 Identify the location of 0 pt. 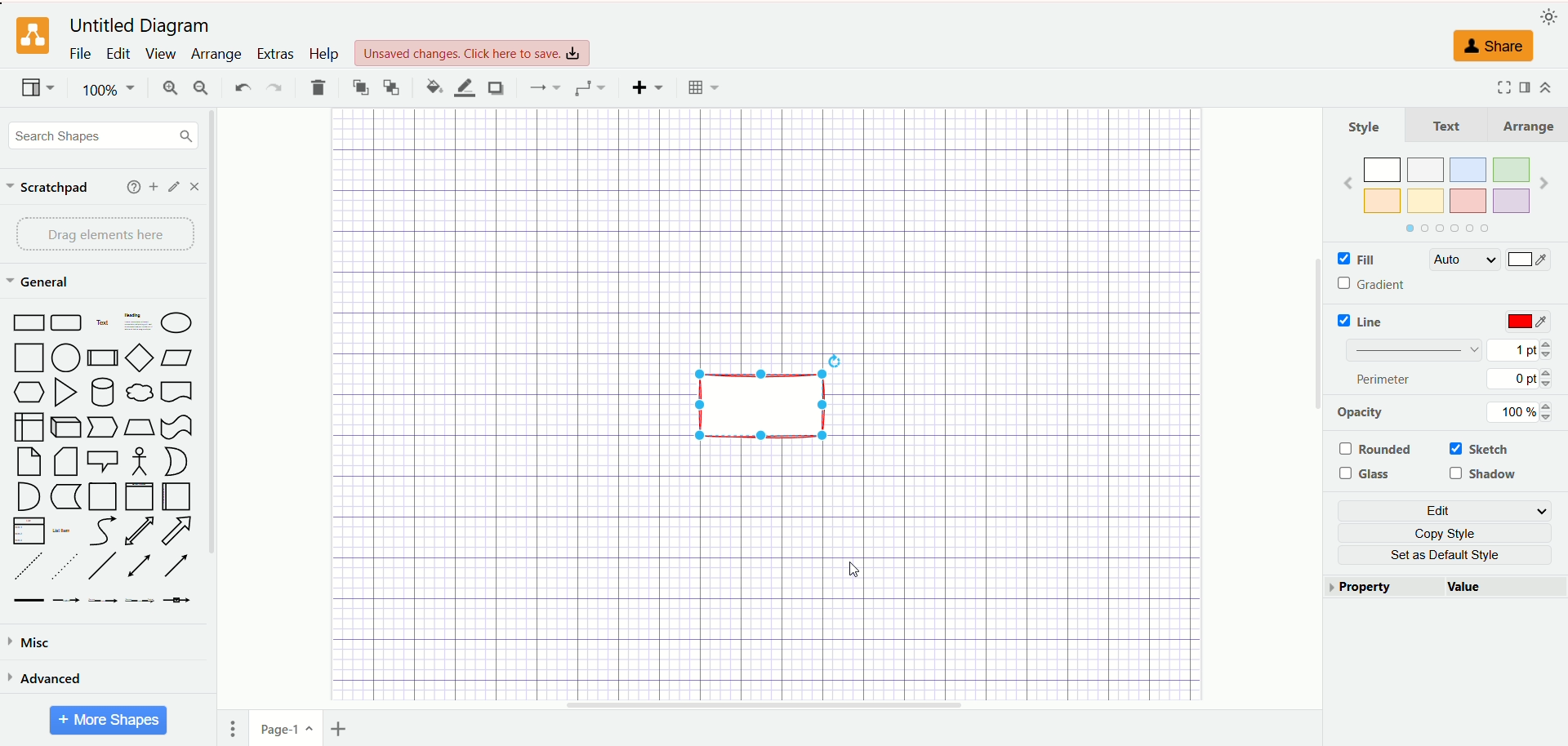
(1521, 378).